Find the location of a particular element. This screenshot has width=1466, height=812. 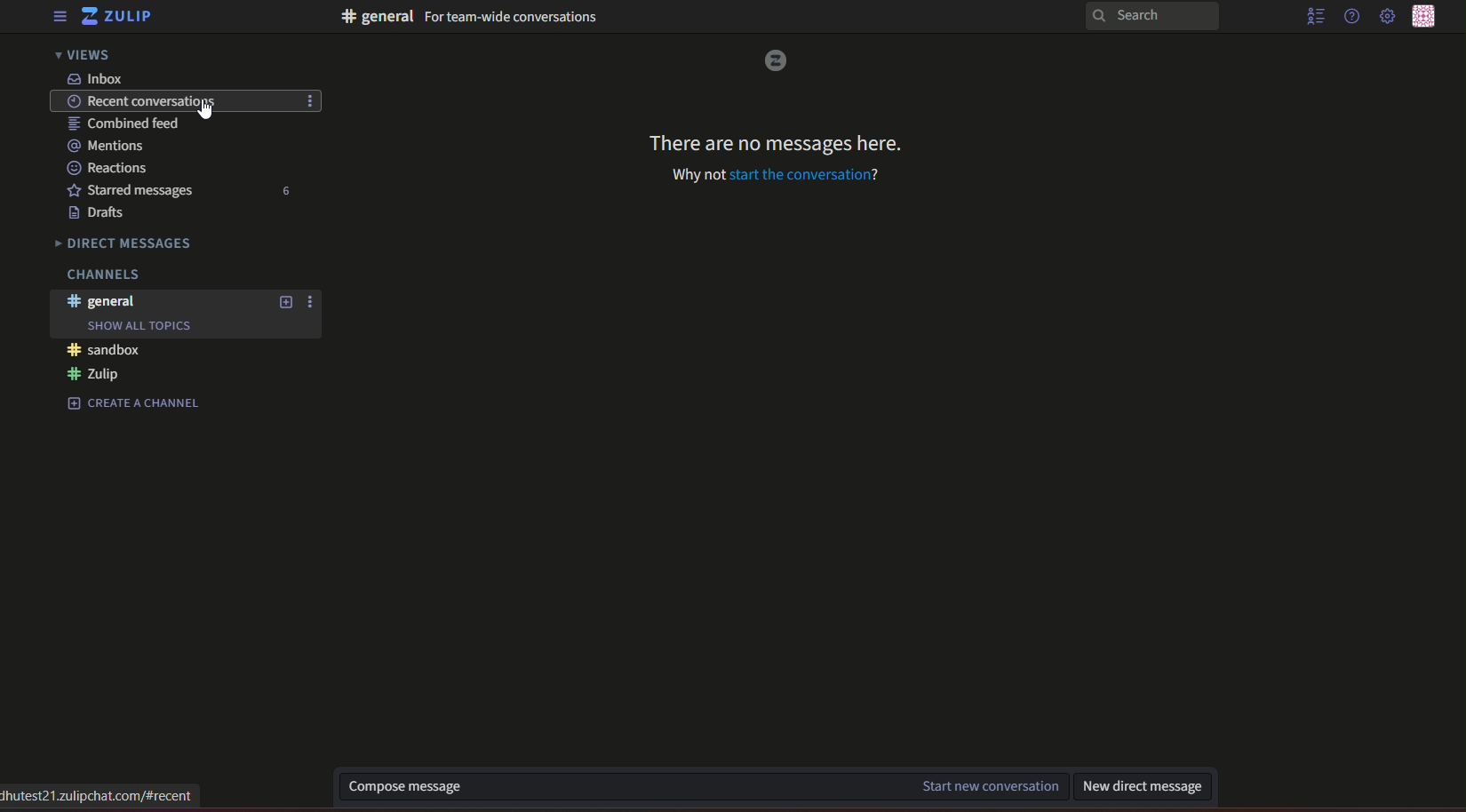

show all topics is located at coordinates (139, 326).